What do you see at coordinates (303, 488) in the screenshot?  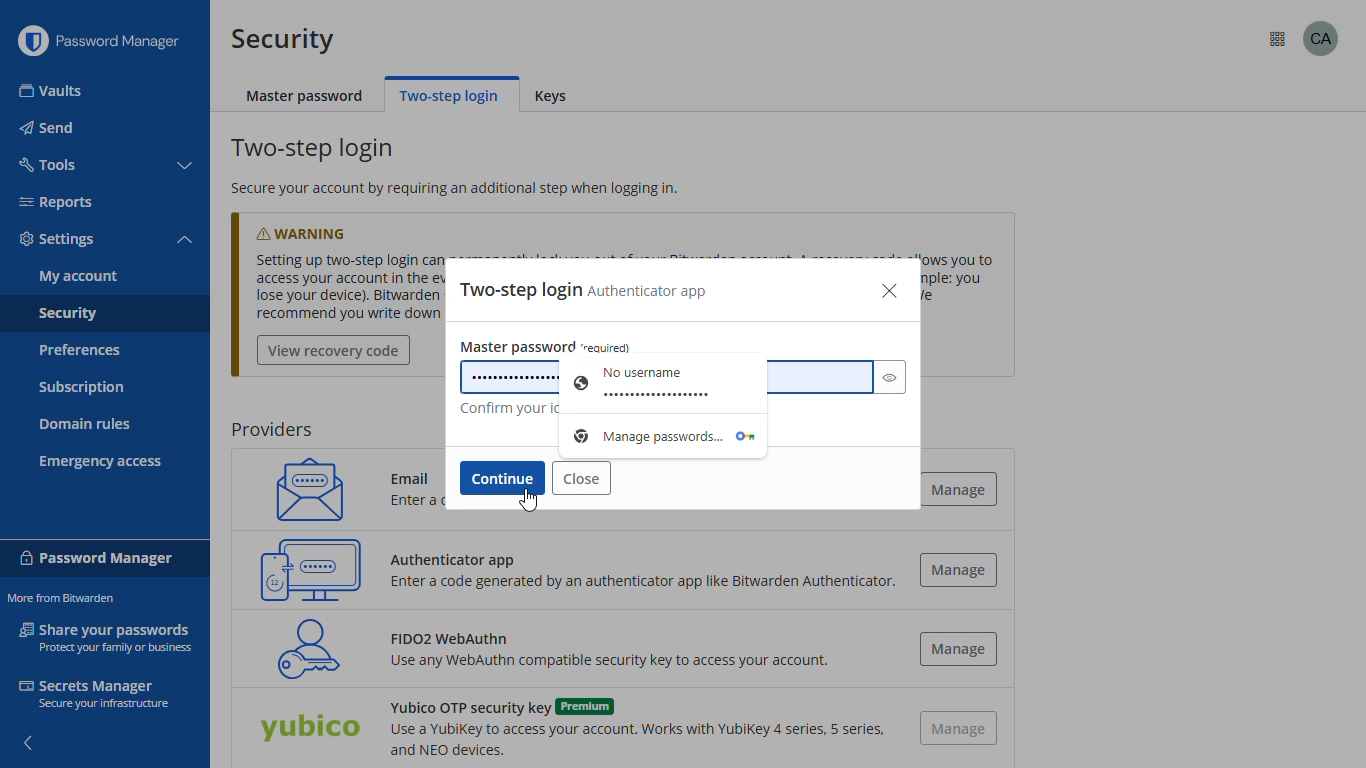 I see `email` at bounding box center [303, 488].